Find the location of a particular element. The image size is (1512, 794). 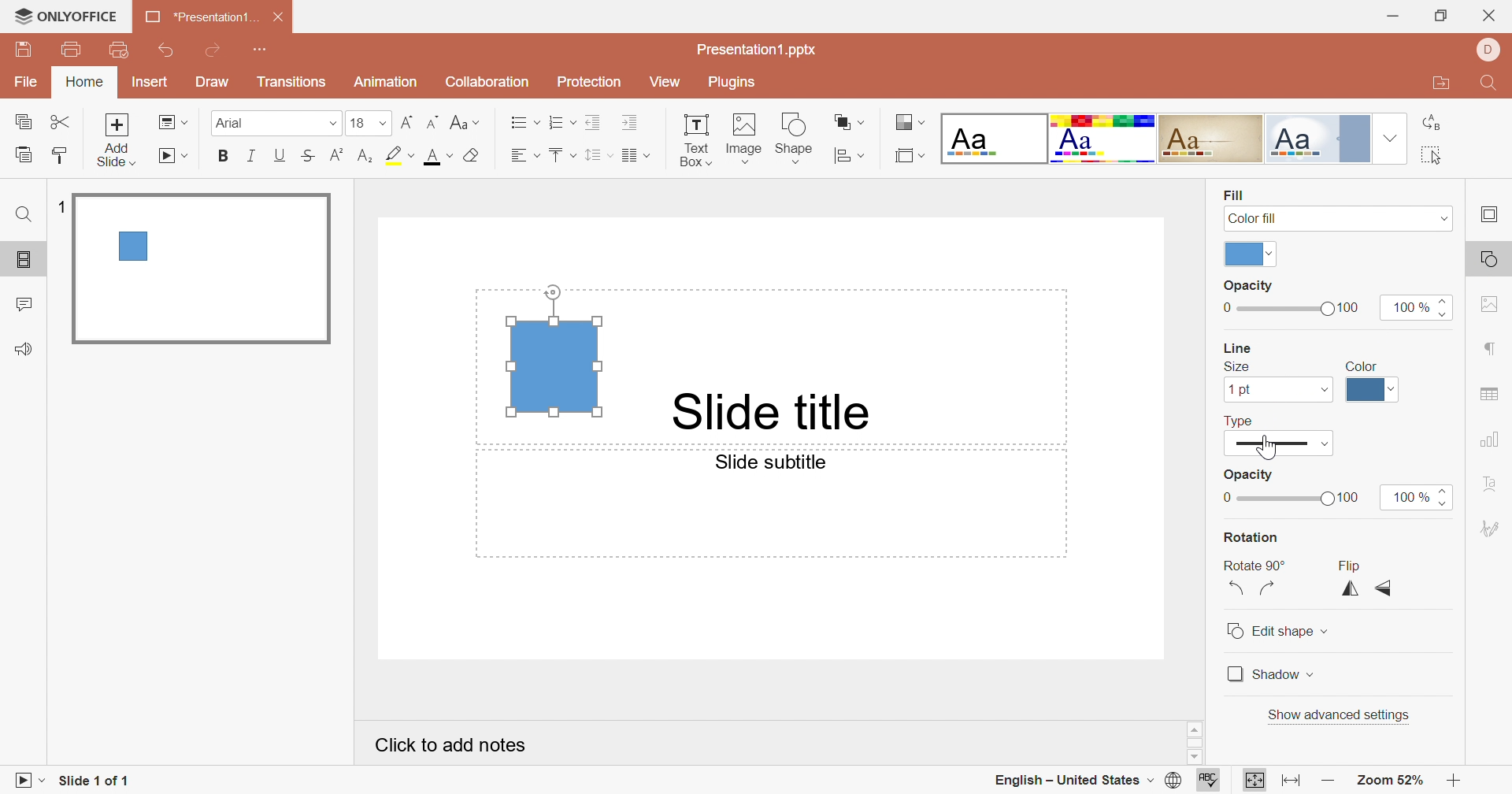

Color fill is located at coordinates (1254, 218).